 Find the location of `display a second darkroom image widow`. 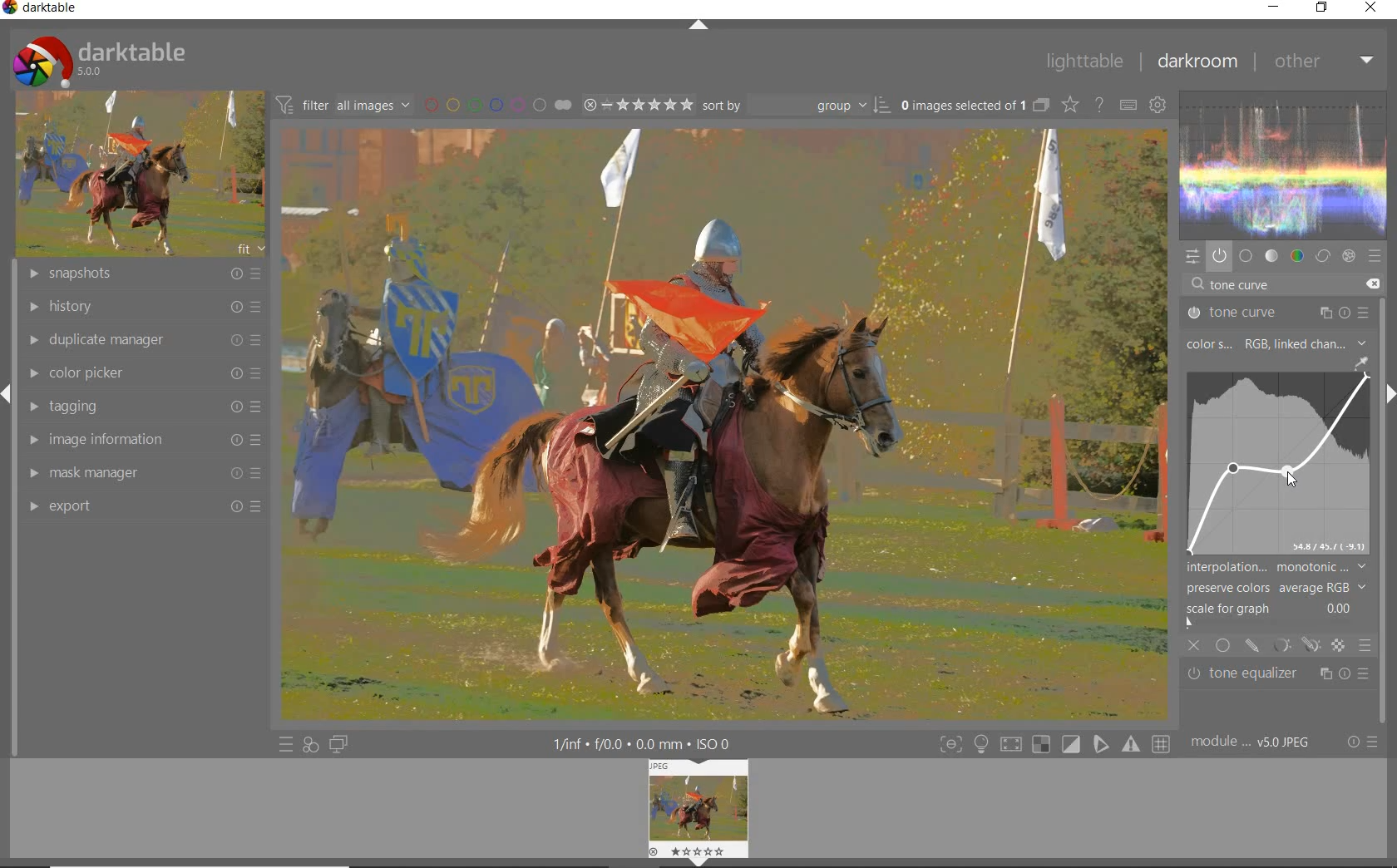

display a second darkroom image widow is located at coordinates (339, 743).